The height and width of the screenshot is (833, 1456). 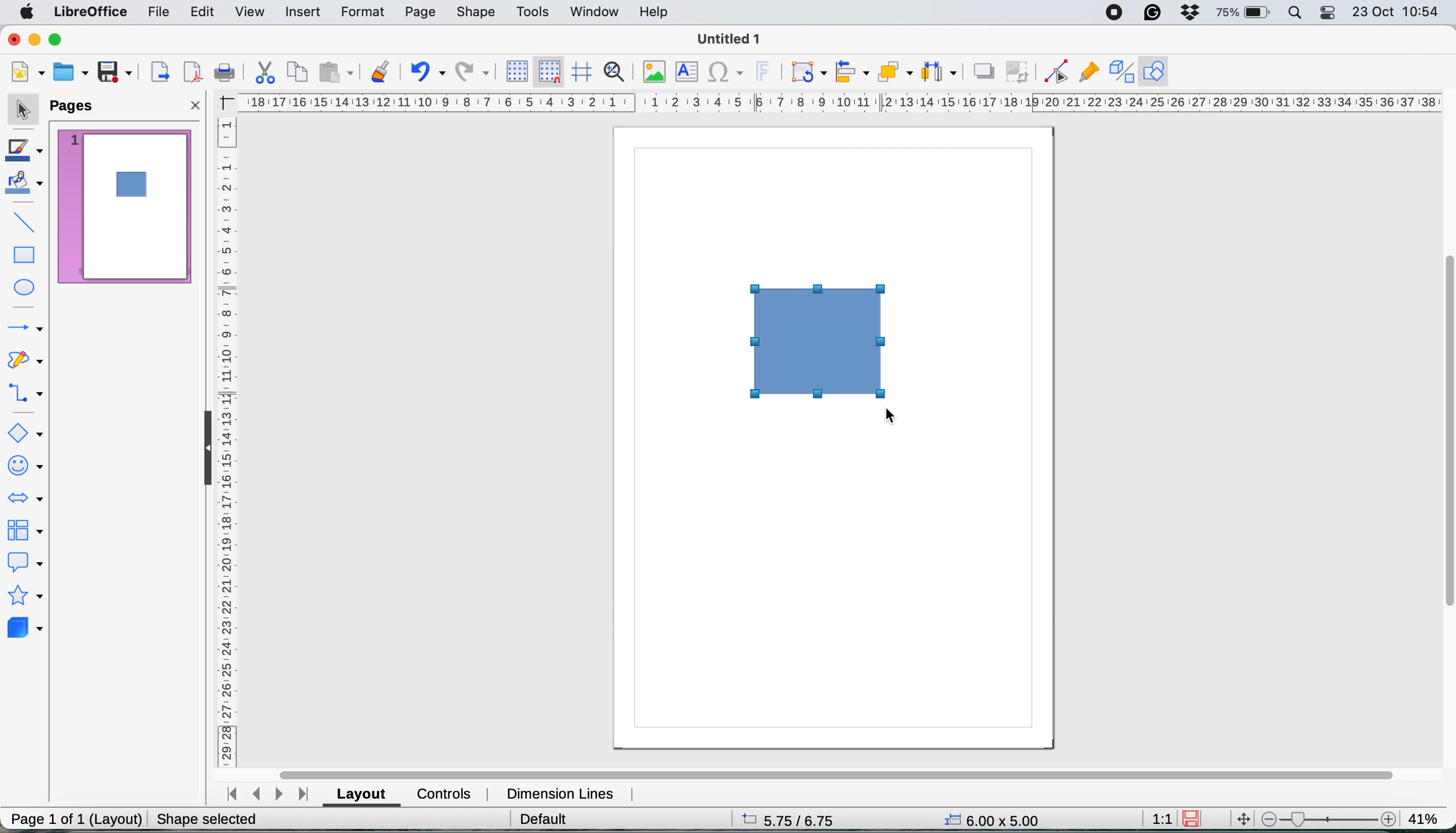 I want to click on spotlight search, so click(x=1296, y=13).